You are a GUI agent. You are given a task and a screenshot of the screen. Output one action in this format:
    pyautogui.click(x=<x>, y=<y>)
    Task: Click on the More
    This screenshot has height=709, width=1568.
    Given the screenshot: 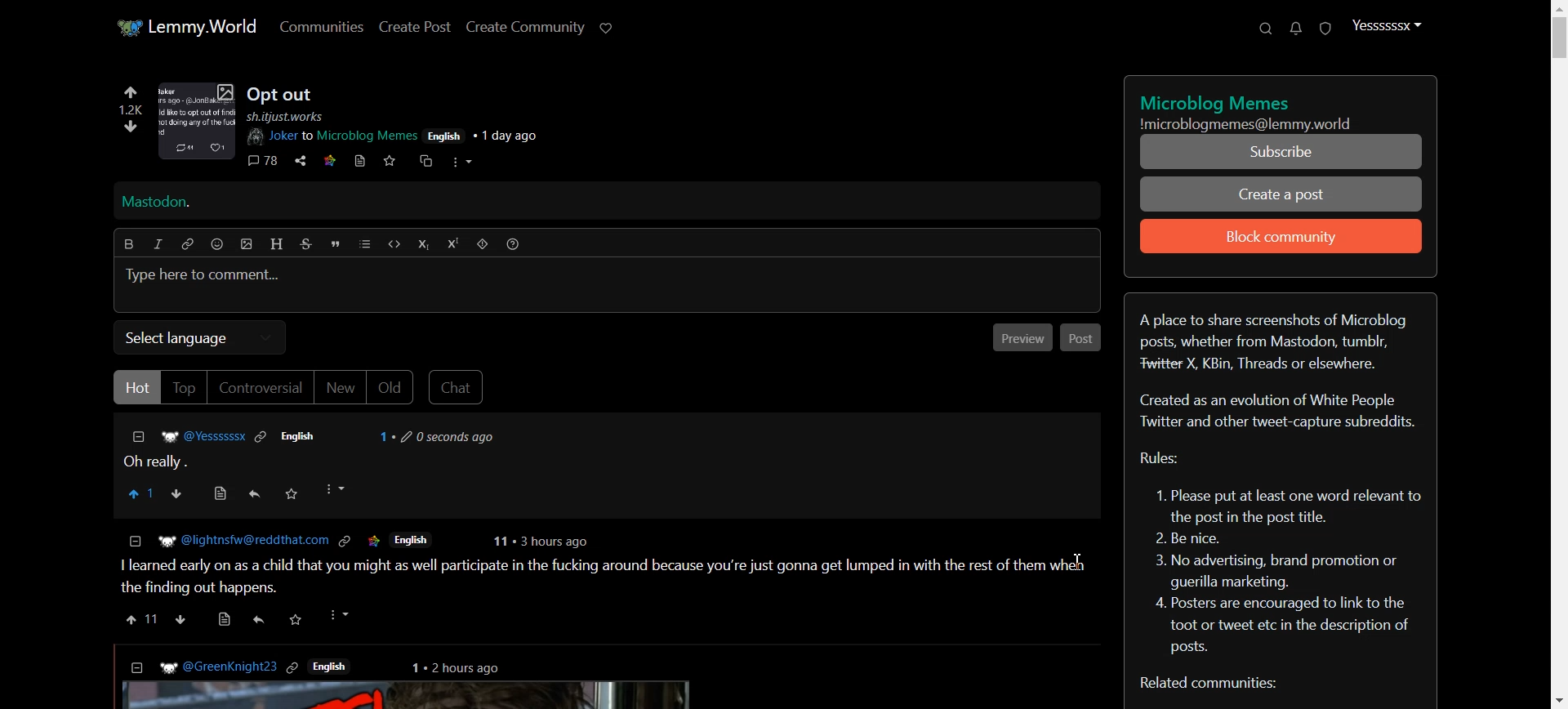 What is the action you would take?
    pyautogui.click(x=334, y=493)
    